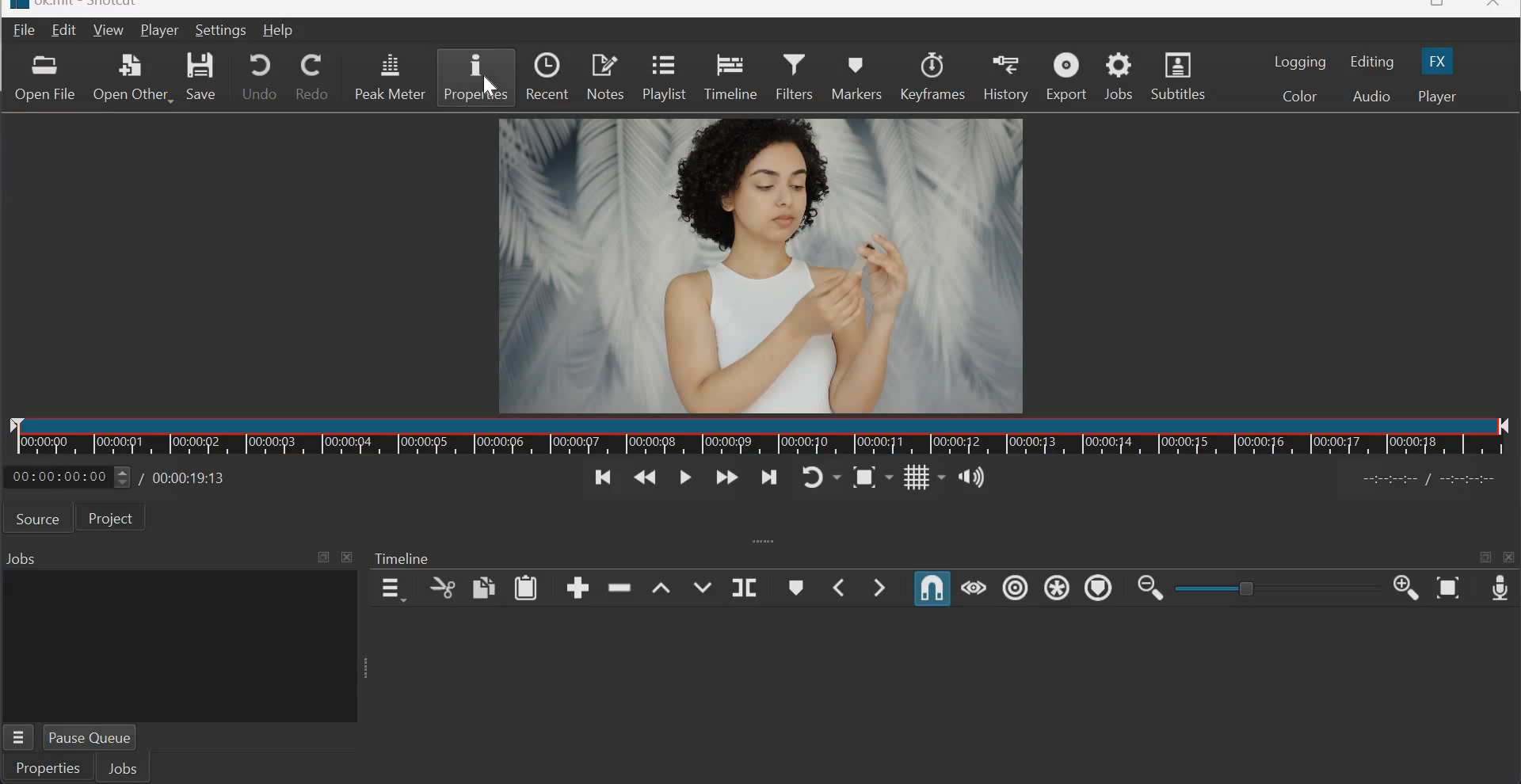 Image resolution: width=1521 pixels, height=784 pixels. I want to click on Undo, so click(260, 75).